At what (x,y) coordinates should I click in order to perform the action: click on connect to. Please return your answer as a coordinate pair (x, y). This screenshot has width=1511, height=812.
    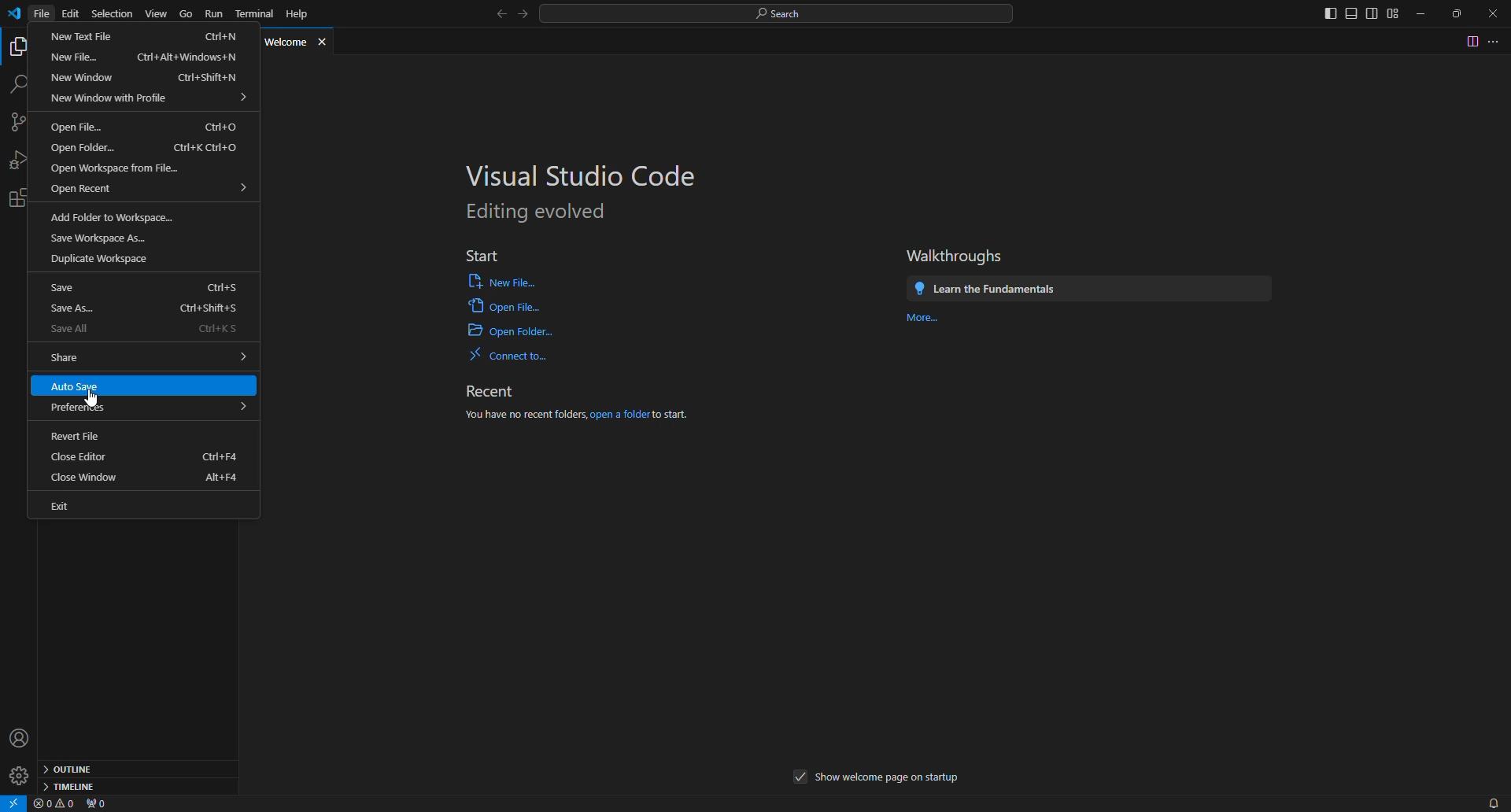
    Looking at the image, I should click on (512, 356).